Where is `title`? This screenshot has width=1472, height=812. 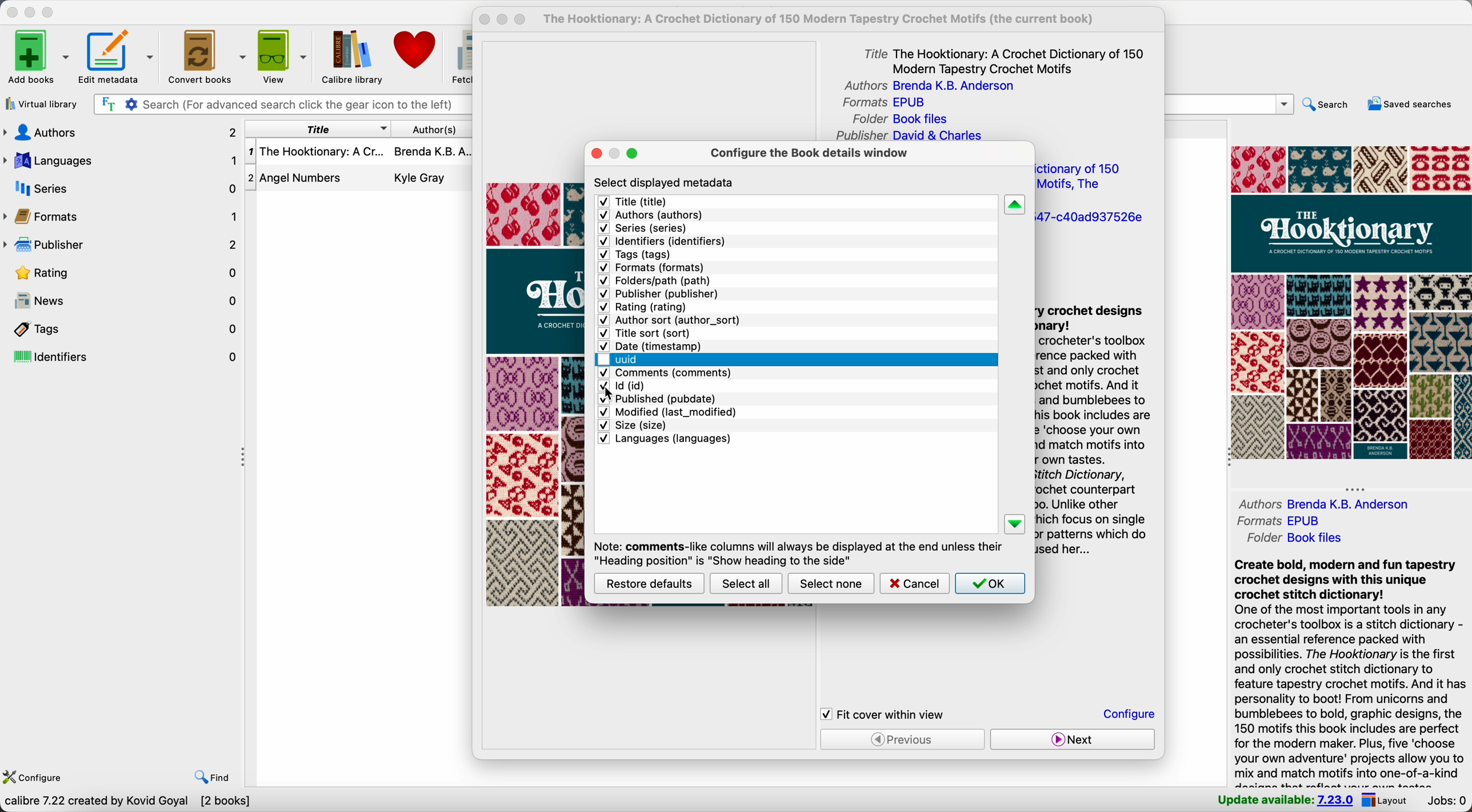
title is located at coordinates (643, 201).